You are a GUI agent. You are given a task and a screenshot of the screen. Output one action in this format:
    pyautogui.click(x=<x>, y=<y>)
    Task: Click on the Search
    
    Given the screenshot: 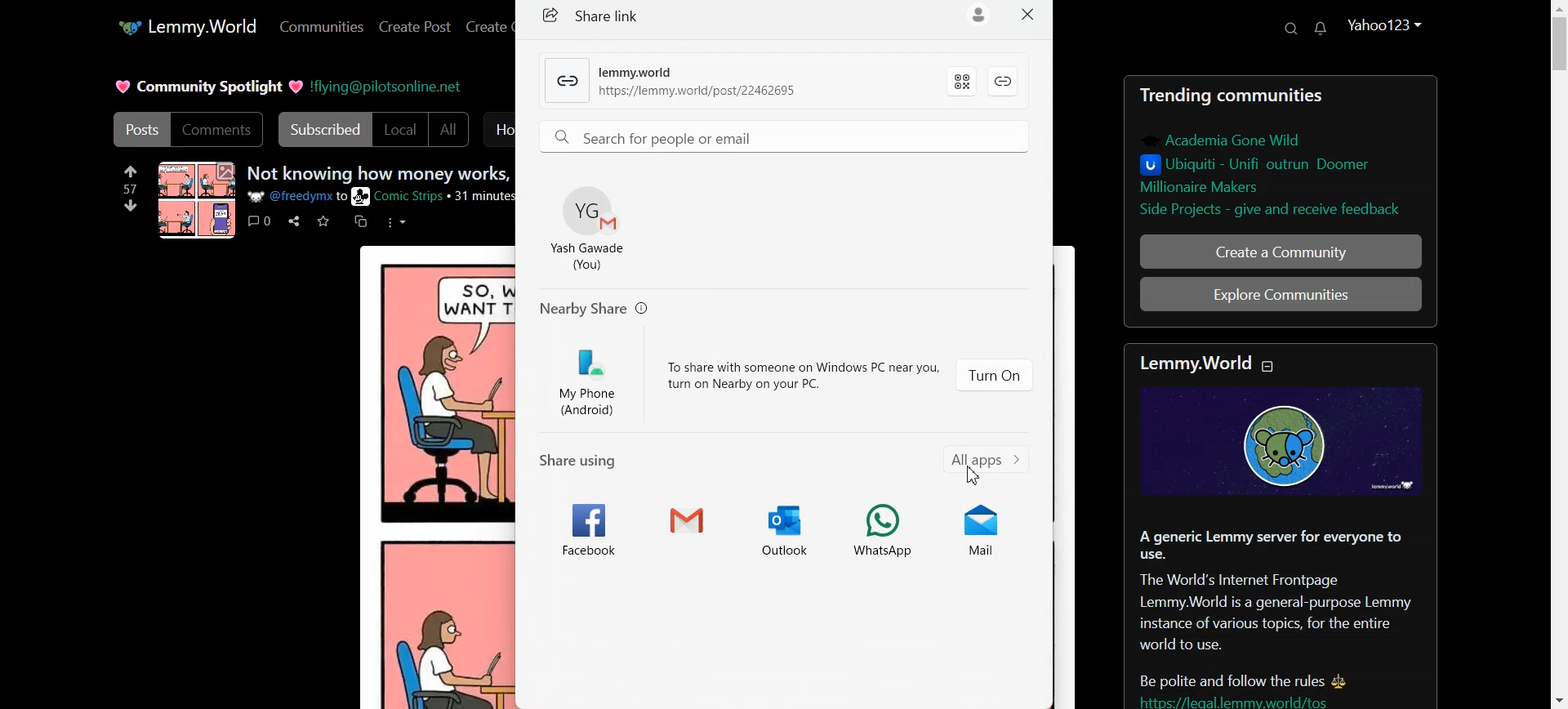 What is the action you would take?
    pyautogui.click(x=787, y=135)
    